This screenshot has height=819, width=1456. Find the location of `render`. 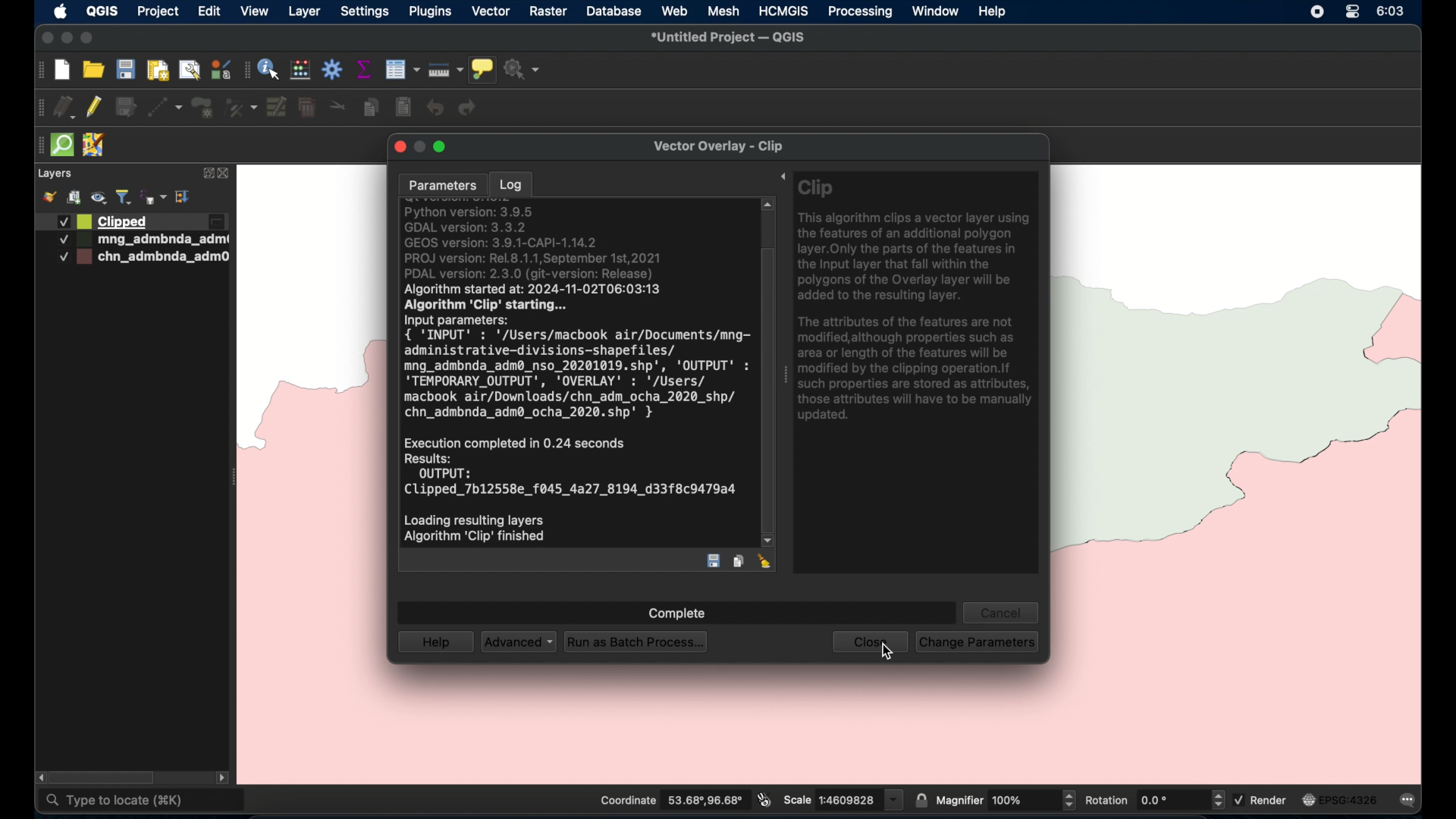

render is located at coordinates (1263, 799).